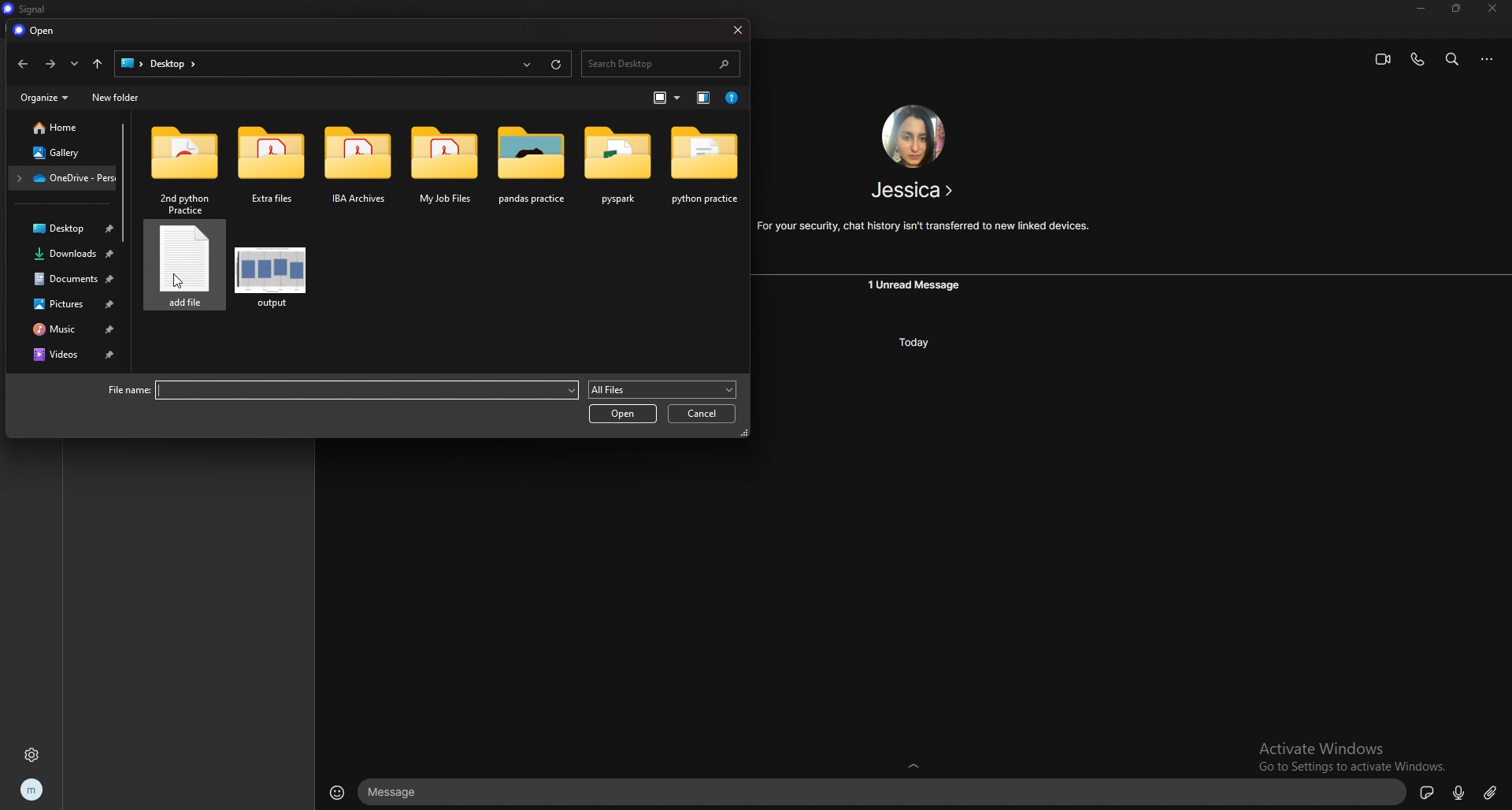 The height and width of the screenshot is (810, 1512). What do you see at coordinates (337, 793) in the screenshot?
I see `emojis` at bounding box center [337, 793].